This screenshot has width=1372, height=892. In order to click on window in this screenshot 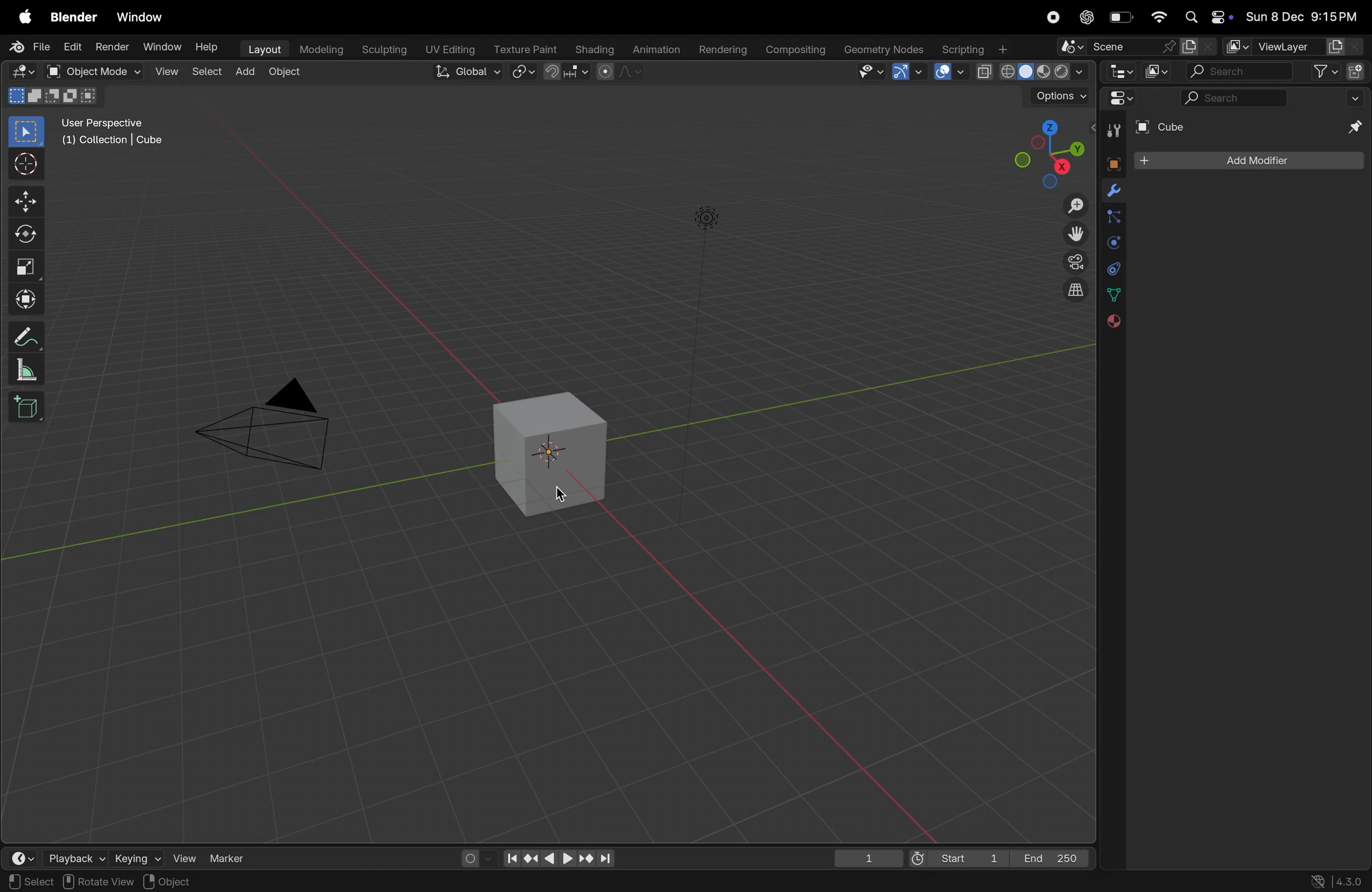, I will do `click(145, 18)`.